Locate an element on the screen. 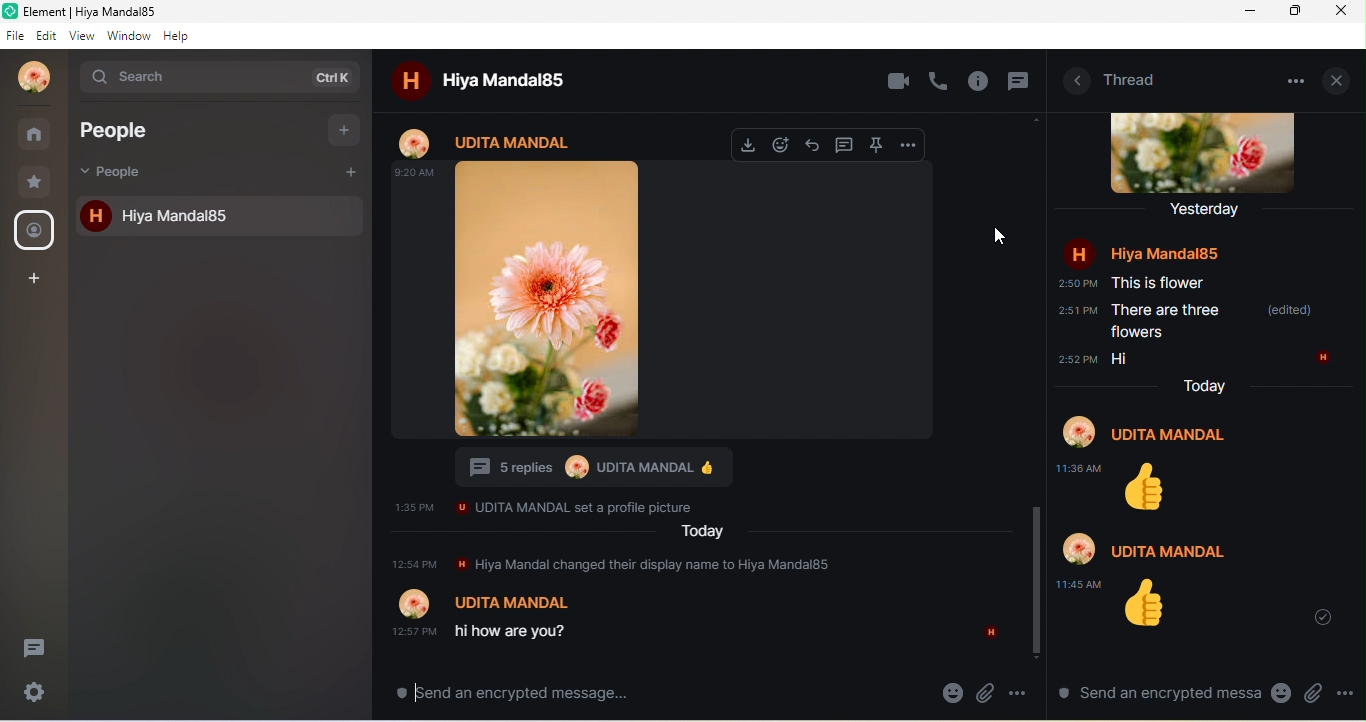 This screenshot has width=1366, height=722. emoji is located at coordinates (1280, 695).